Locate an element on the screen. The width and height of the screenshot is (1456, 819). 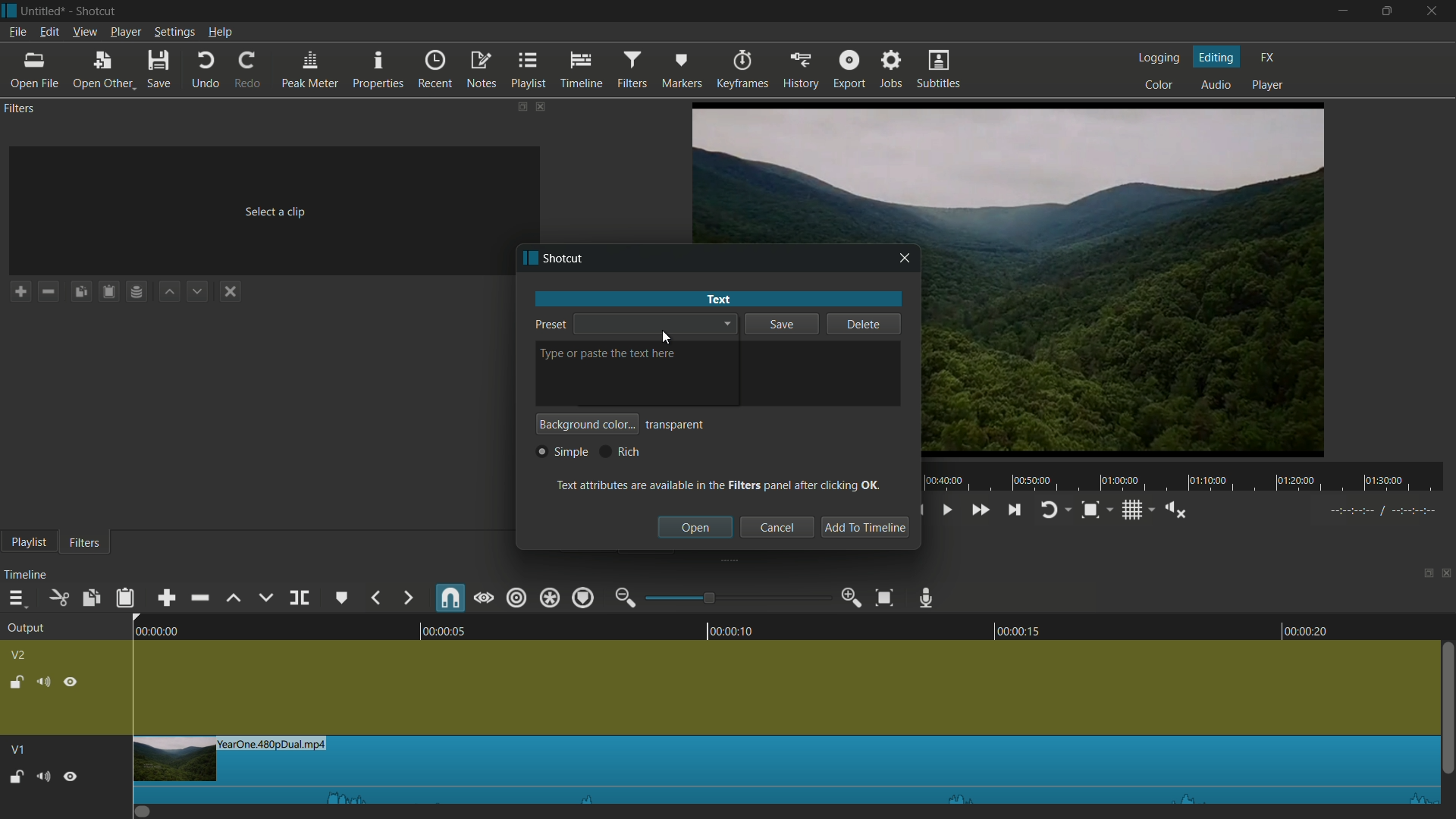
editing is located at coordinates (1217, 57).